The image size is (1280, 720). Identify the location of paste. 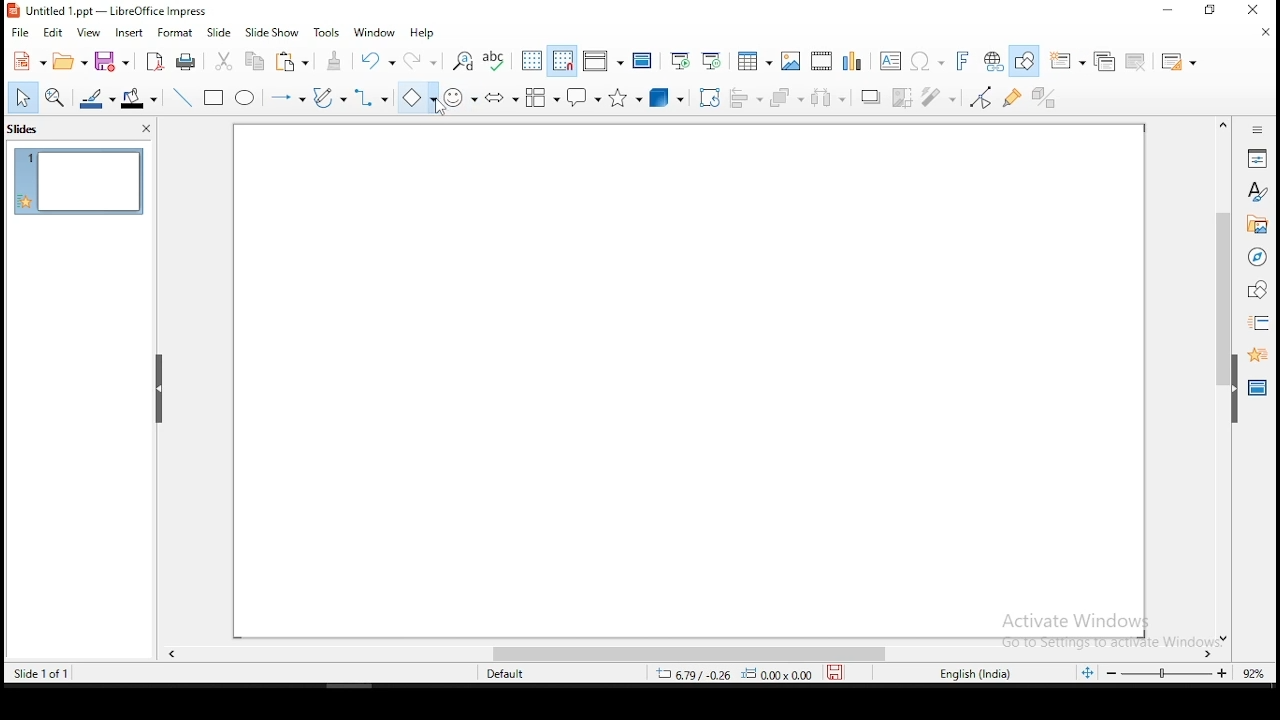
(294, 62).